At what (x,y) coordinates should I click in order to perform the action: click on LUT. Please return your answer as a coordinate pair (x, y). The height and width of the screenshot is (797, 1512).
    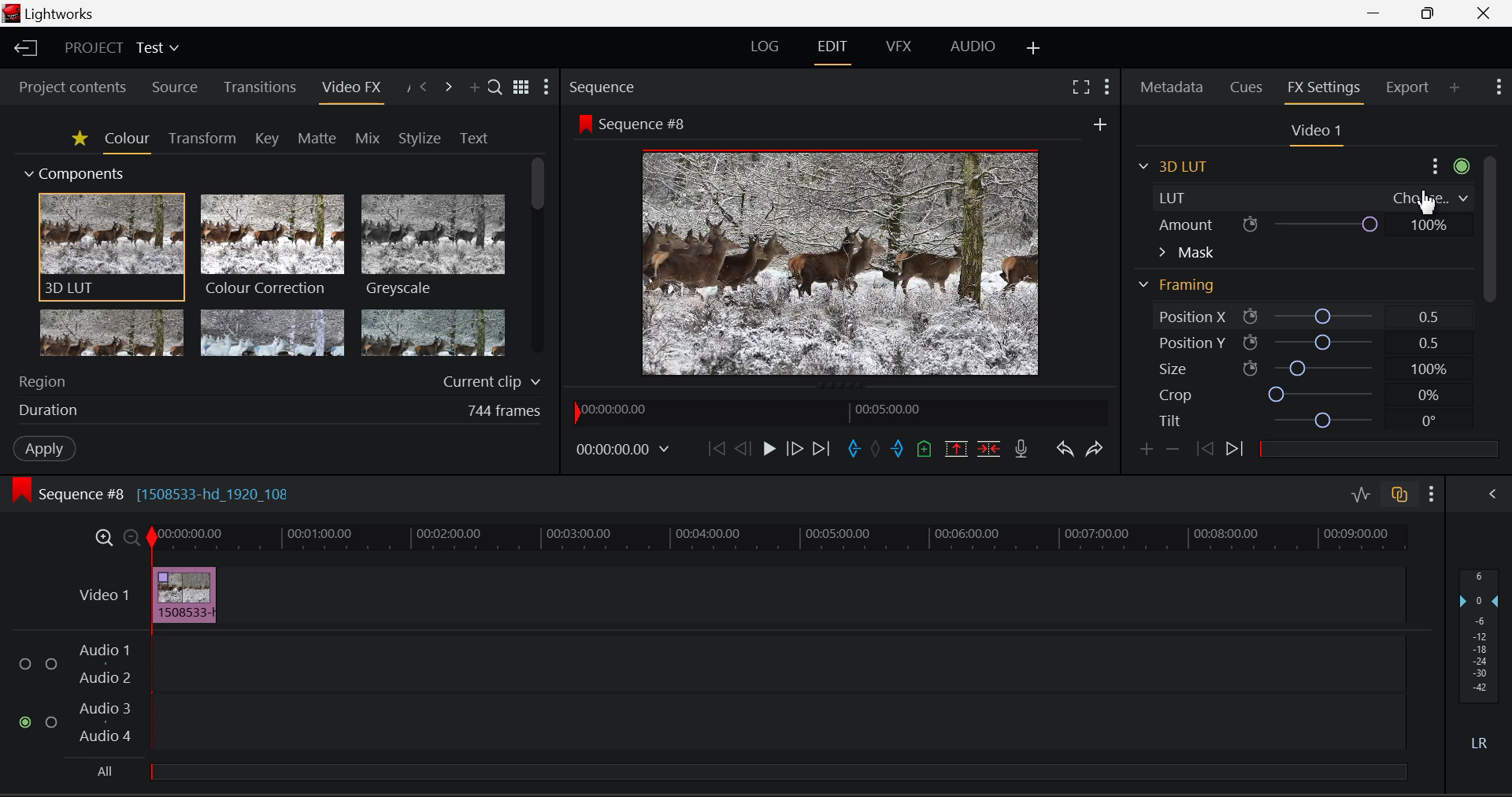
    Looking at the image, I should click on (1318, 198).